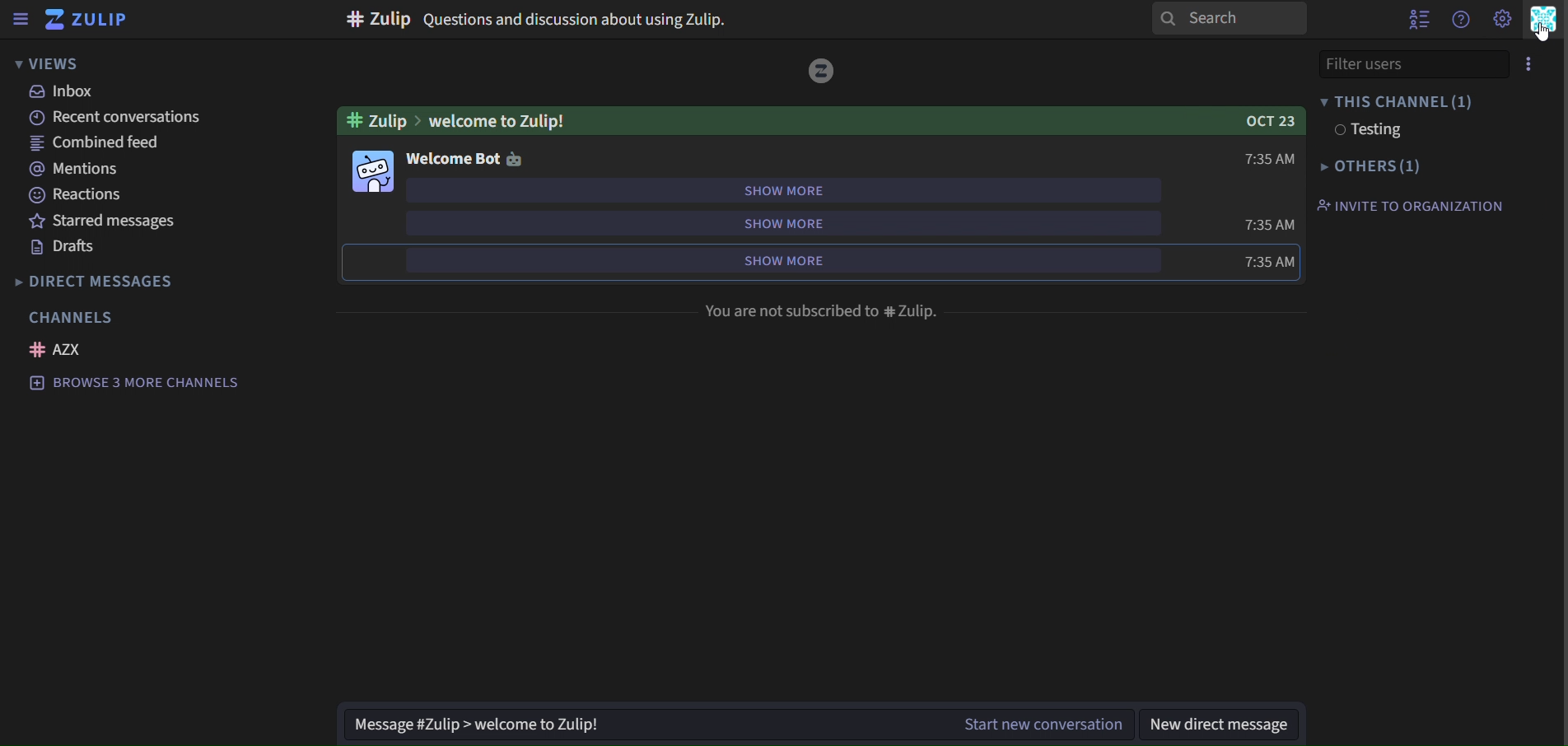  Describe the element at coordinates (1247, 263) in the screenshot. I see `7:35AM` at that location.